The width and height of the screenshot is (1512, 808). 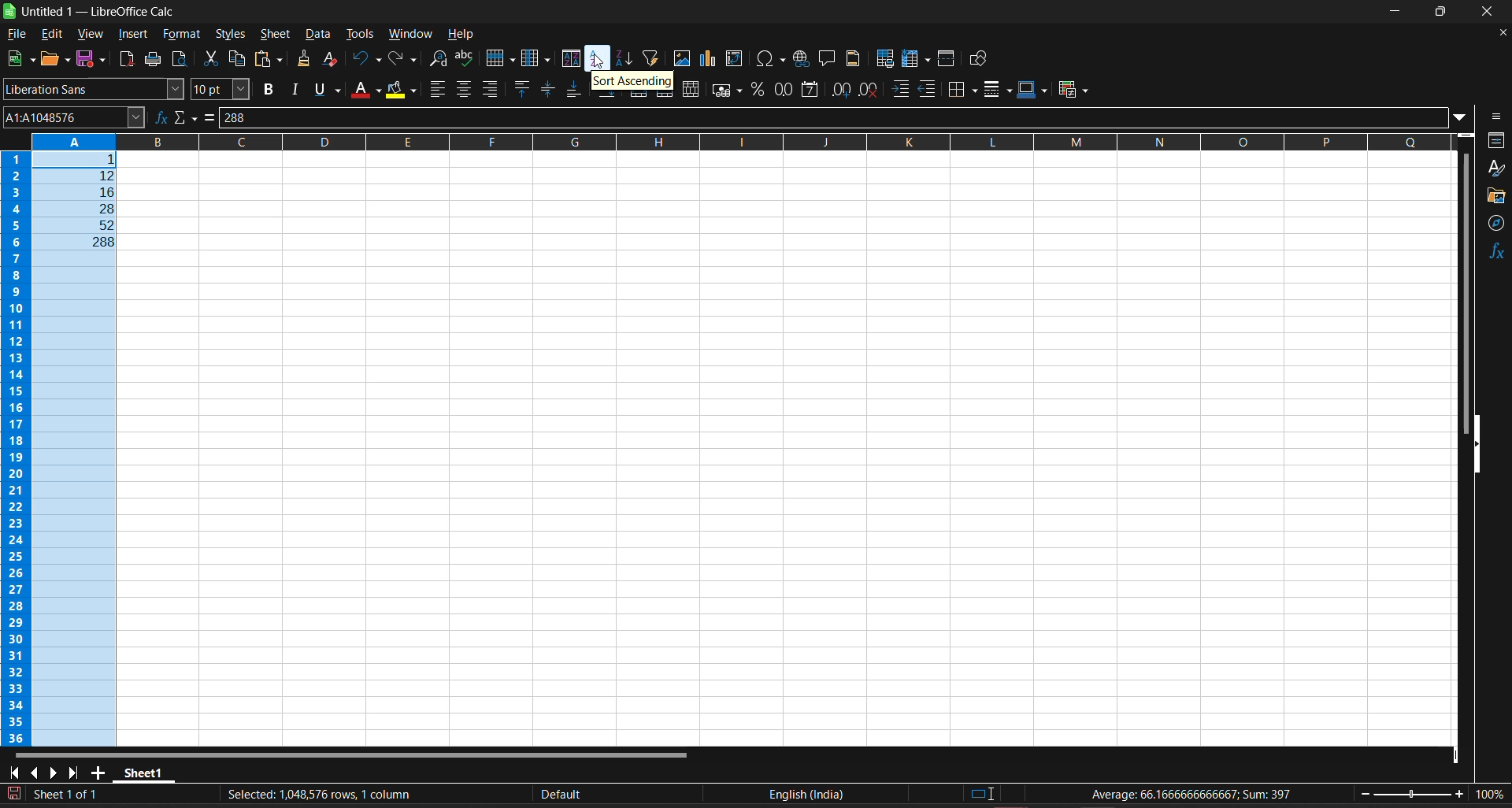 I want to click on formula, so click(x=1199, y=795).